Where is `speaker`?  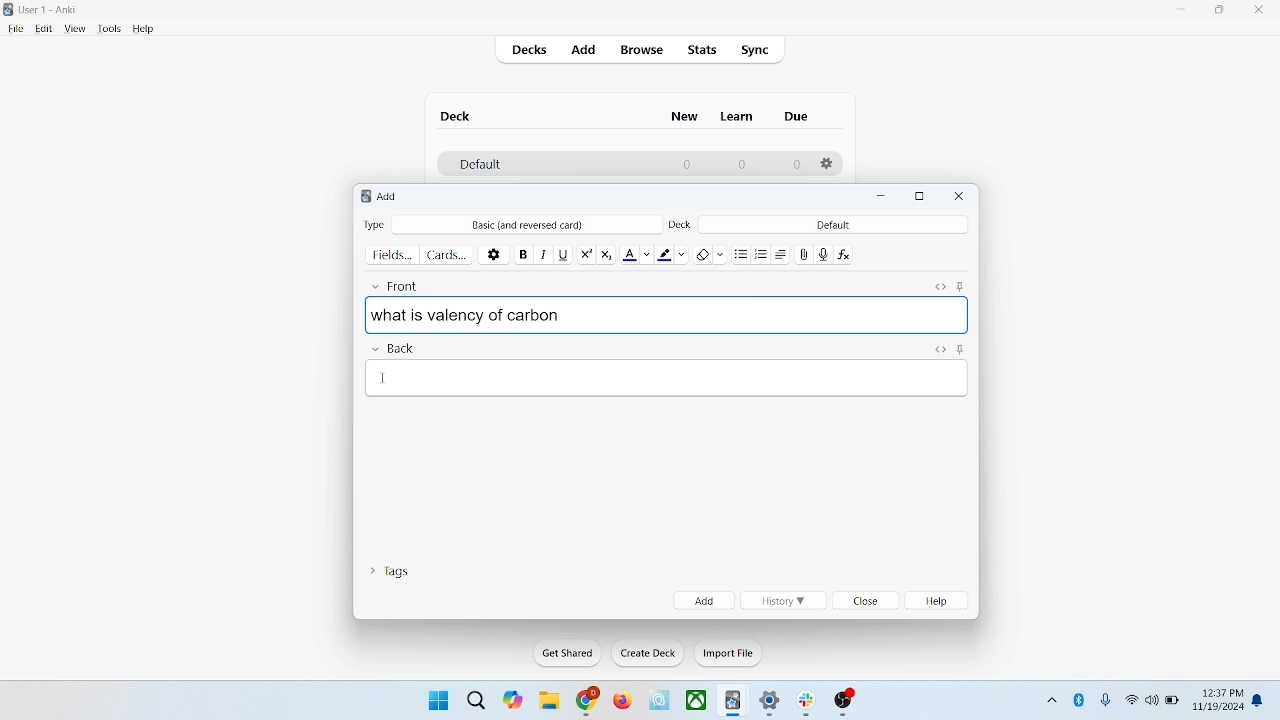
speaker is located at coordinates (1152, 699).